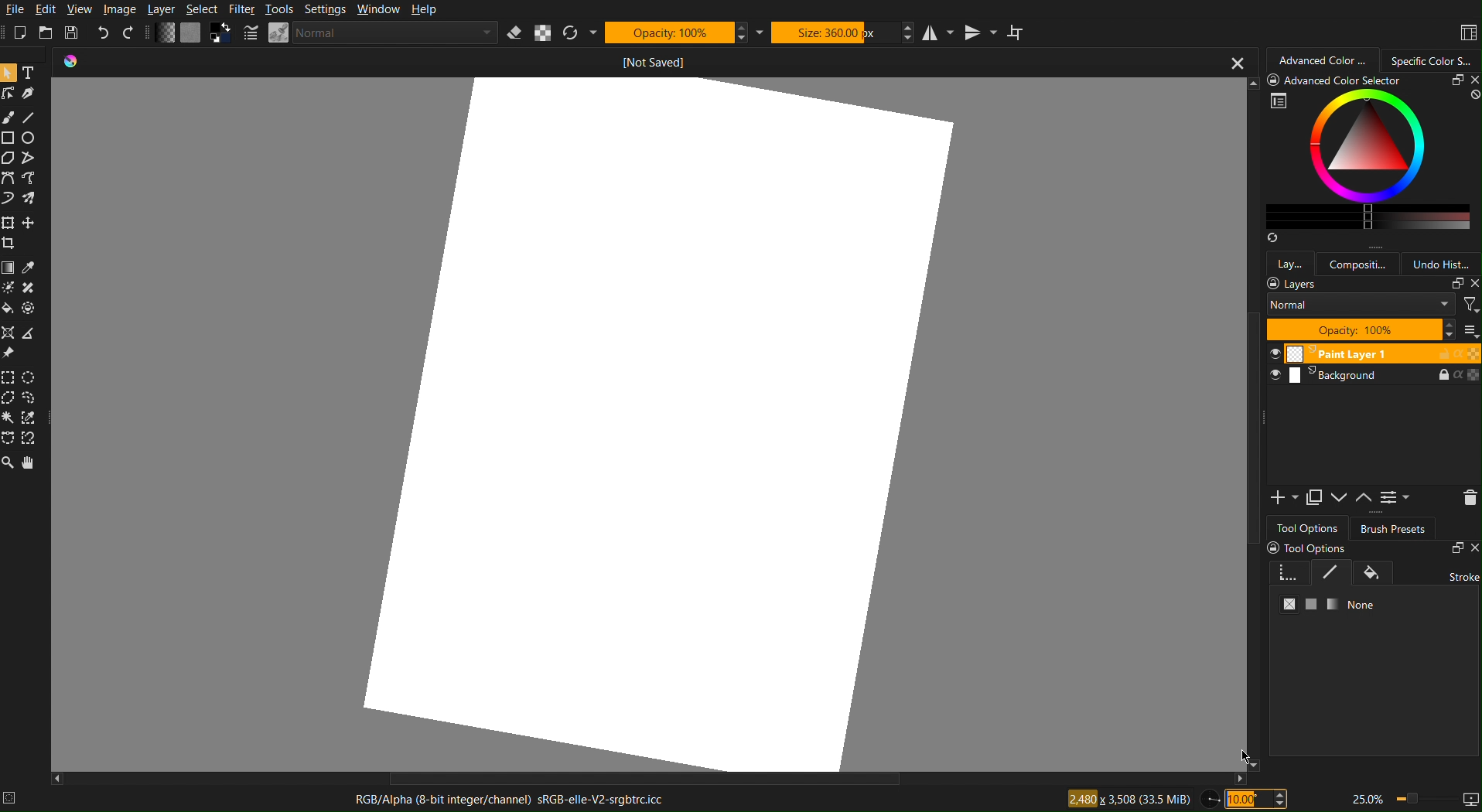 The image size is (1482, 812). What do you see at coordinates (9, 287) in the screenshot?
I see `Dodge Tool` at bounding box center [9, 287].